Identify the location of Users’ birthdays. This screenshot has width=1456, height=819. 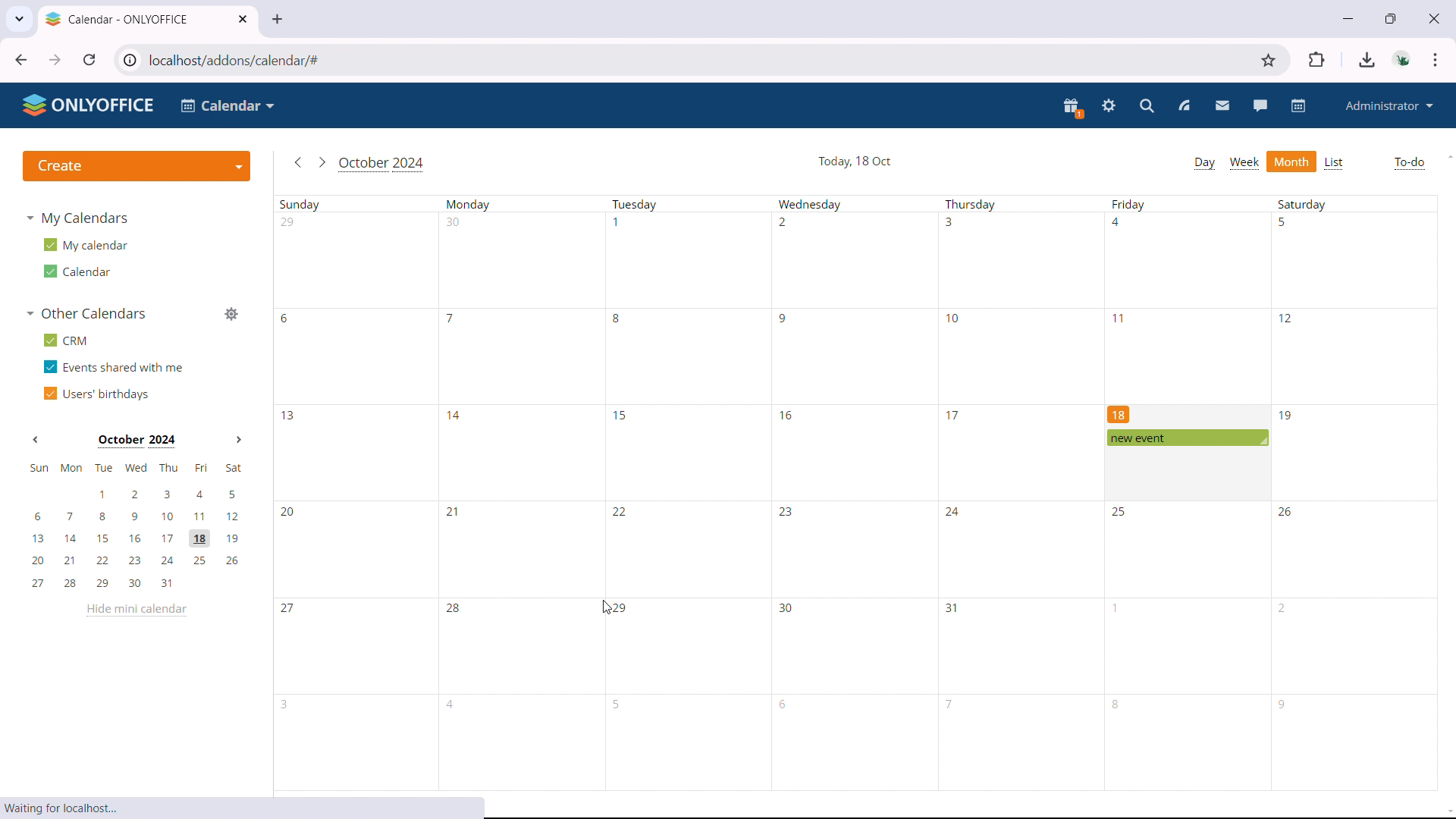
(95, 393).